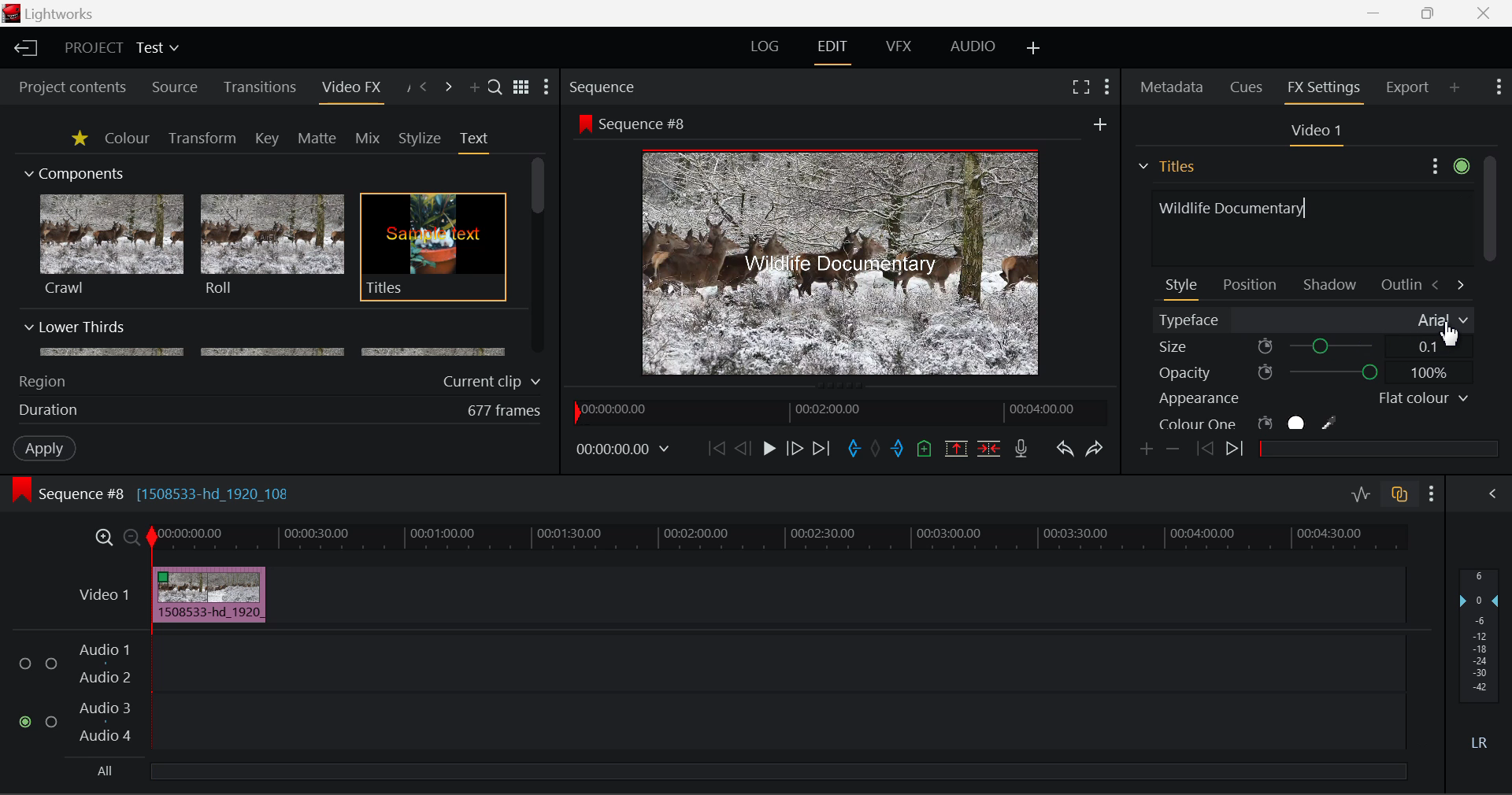 Image resolution: width=1512 pixels, height=795 pixels. Describe the element at coordinates (1403, 494) in the screenshot. I see `Toggle auto track sync` at that location.